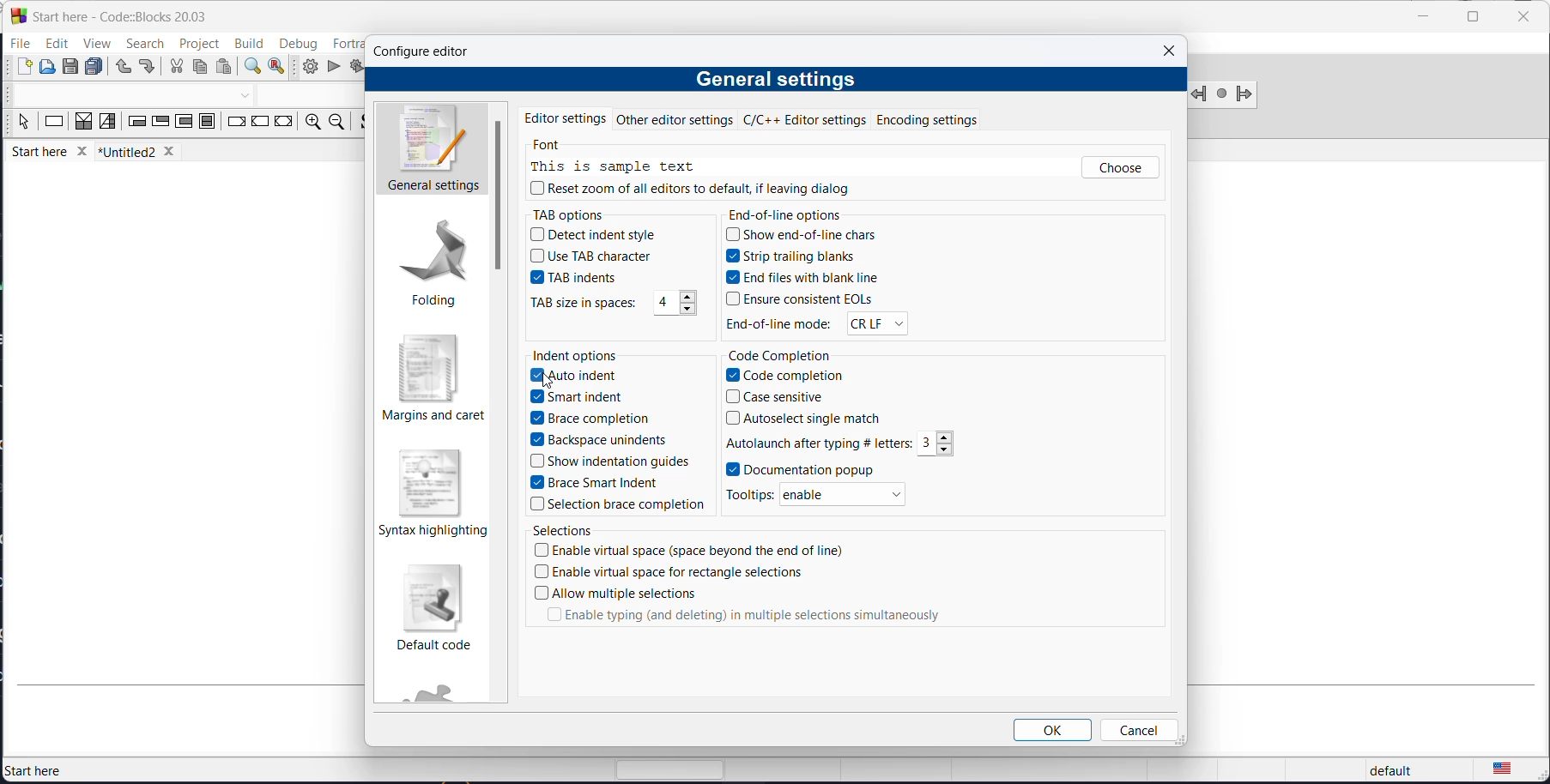 This screenshot has height=784, width=1550. I want to click on general settings, so click(429, 150).